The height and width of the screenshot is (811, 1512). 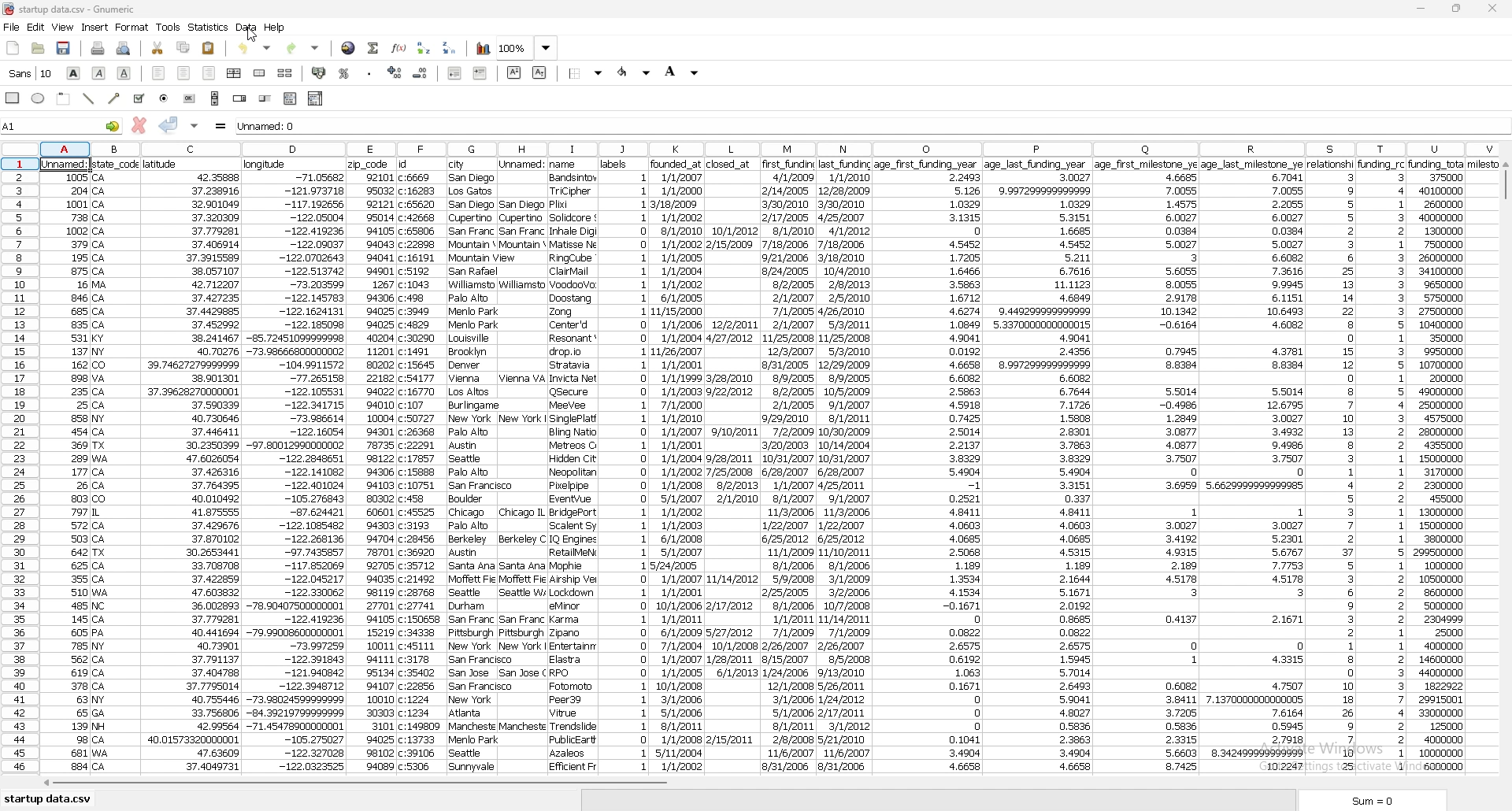 I want to click on split merged cells, so click(x=285, y=73).